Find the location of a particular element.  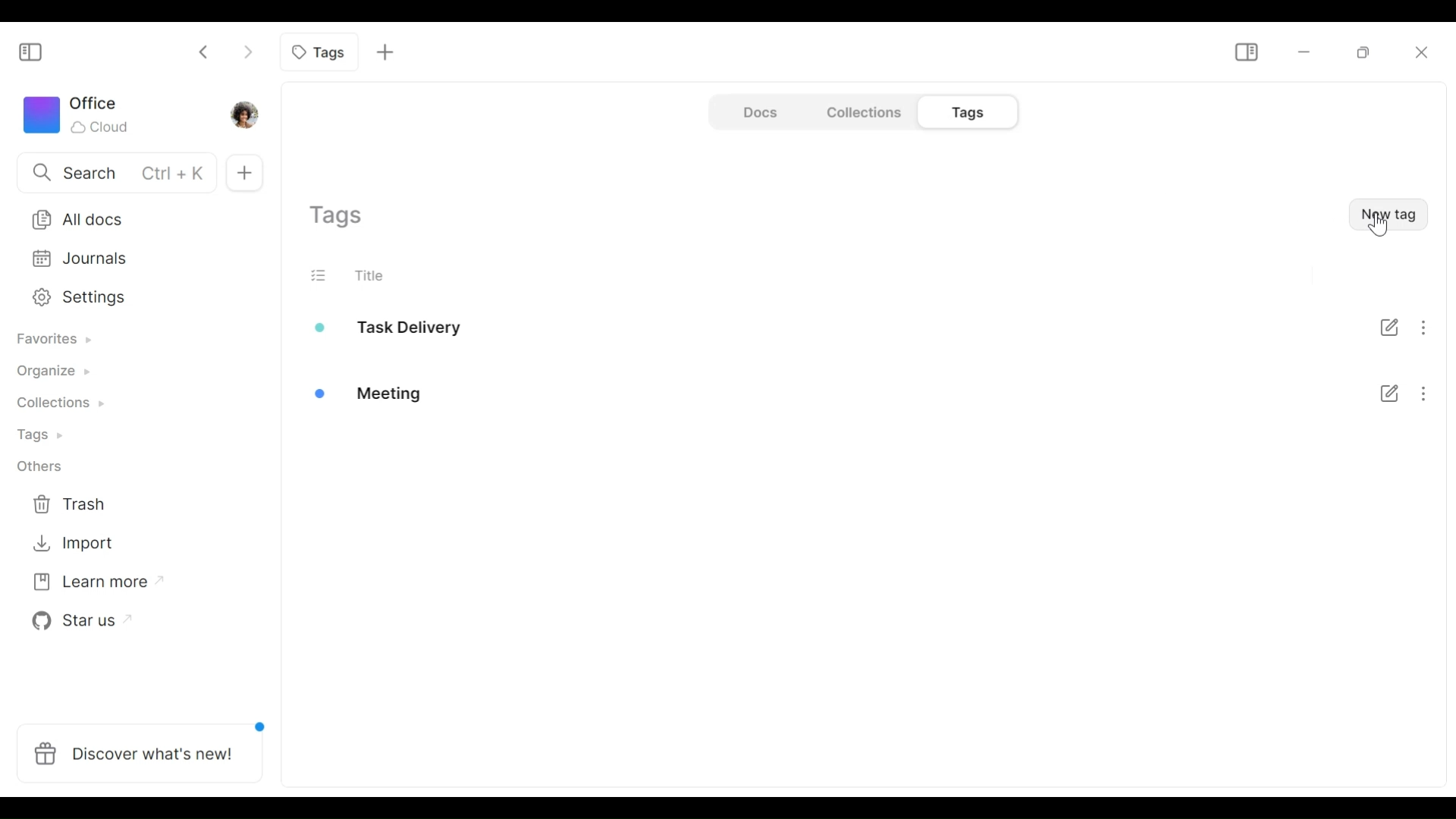

Learn more is located at coordinates (88, 585).